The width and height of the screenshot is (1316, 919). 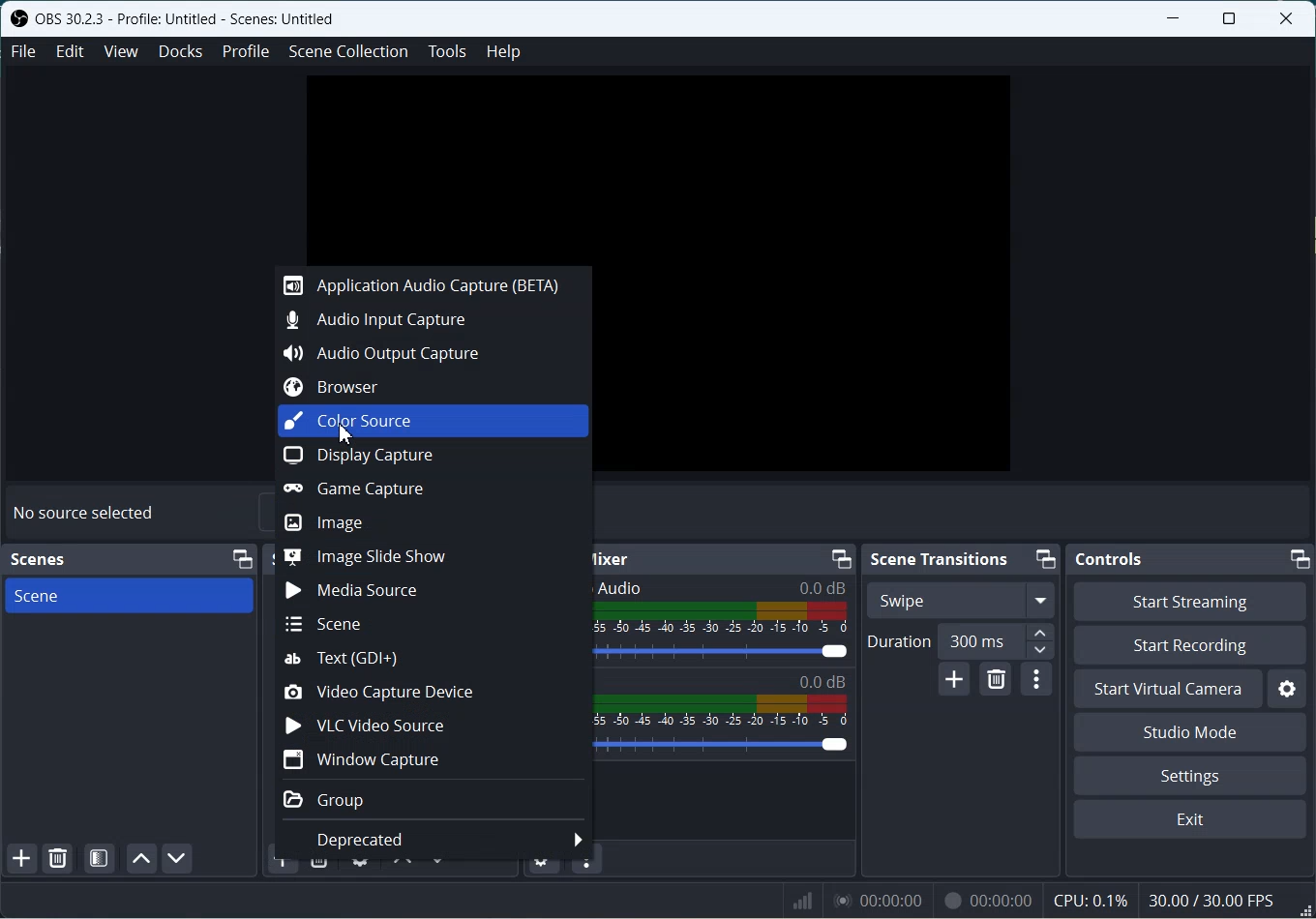 I want to click on Signals, so click(x=795, y=898).